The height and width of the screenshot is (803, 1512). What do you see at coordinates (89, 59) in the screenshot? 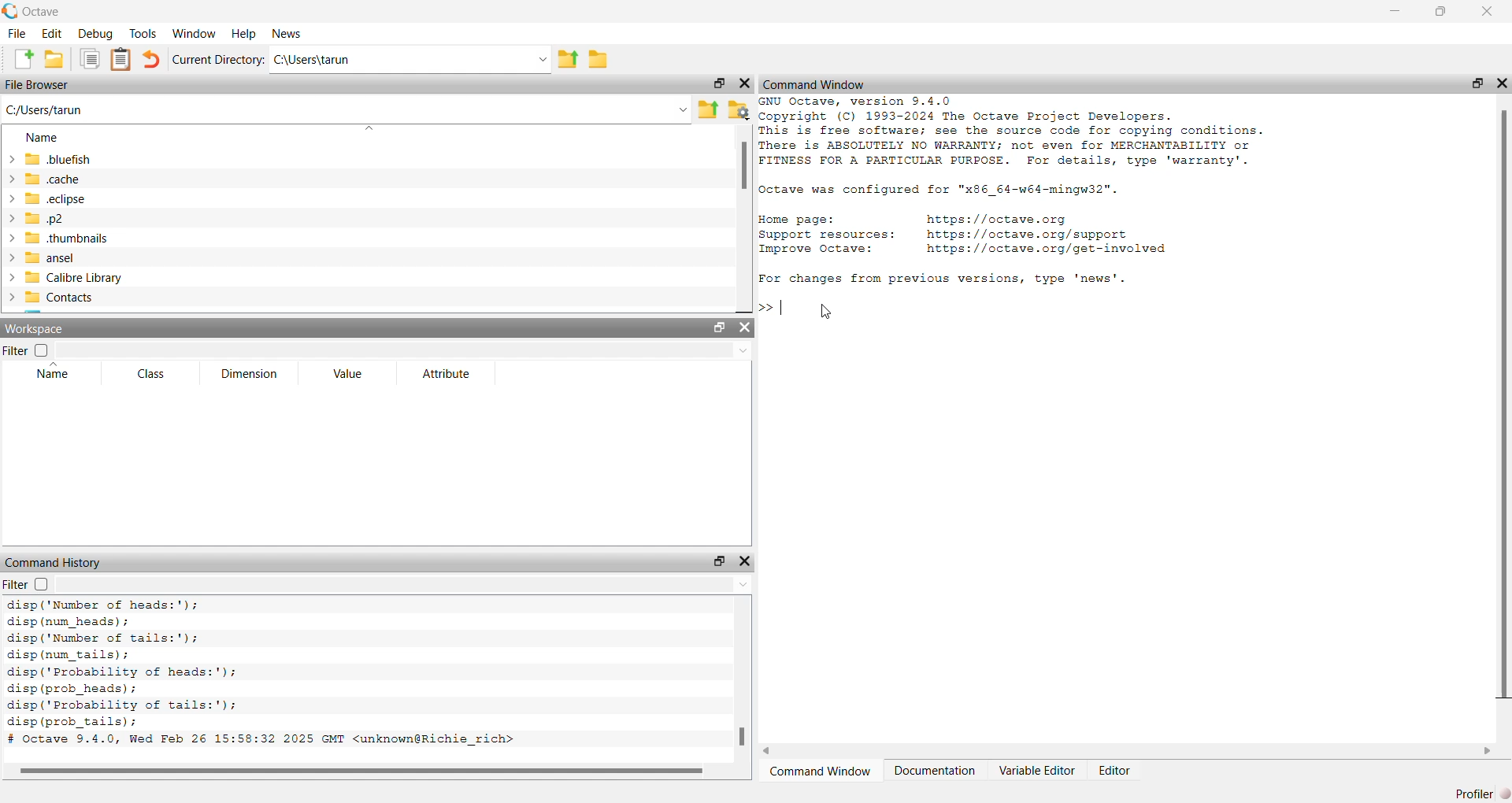
I see `Copy` at bounding box center [89, 59].